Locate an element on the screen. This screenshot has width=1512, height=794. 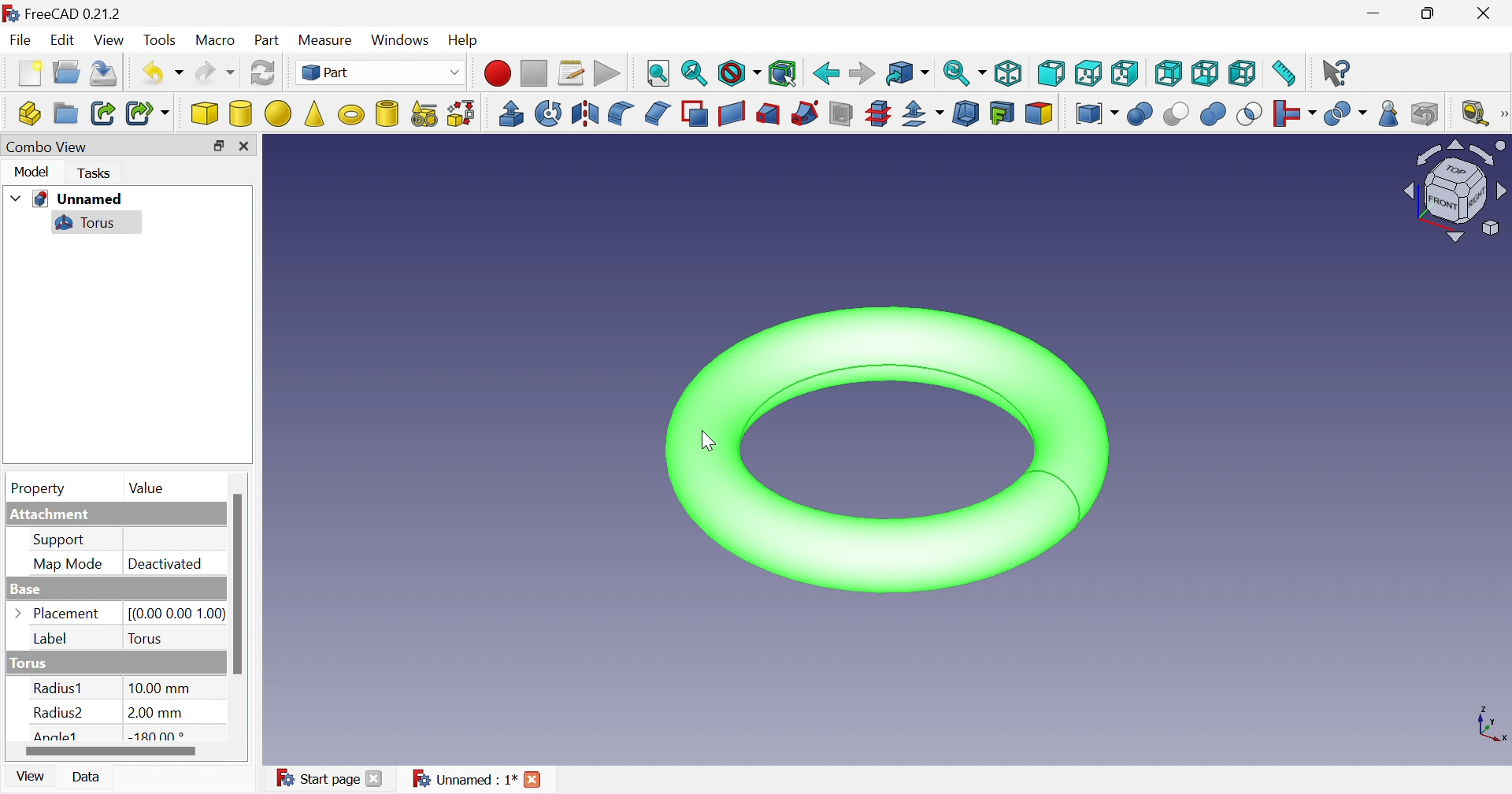
Create tube is located at coordinates (386, 114).